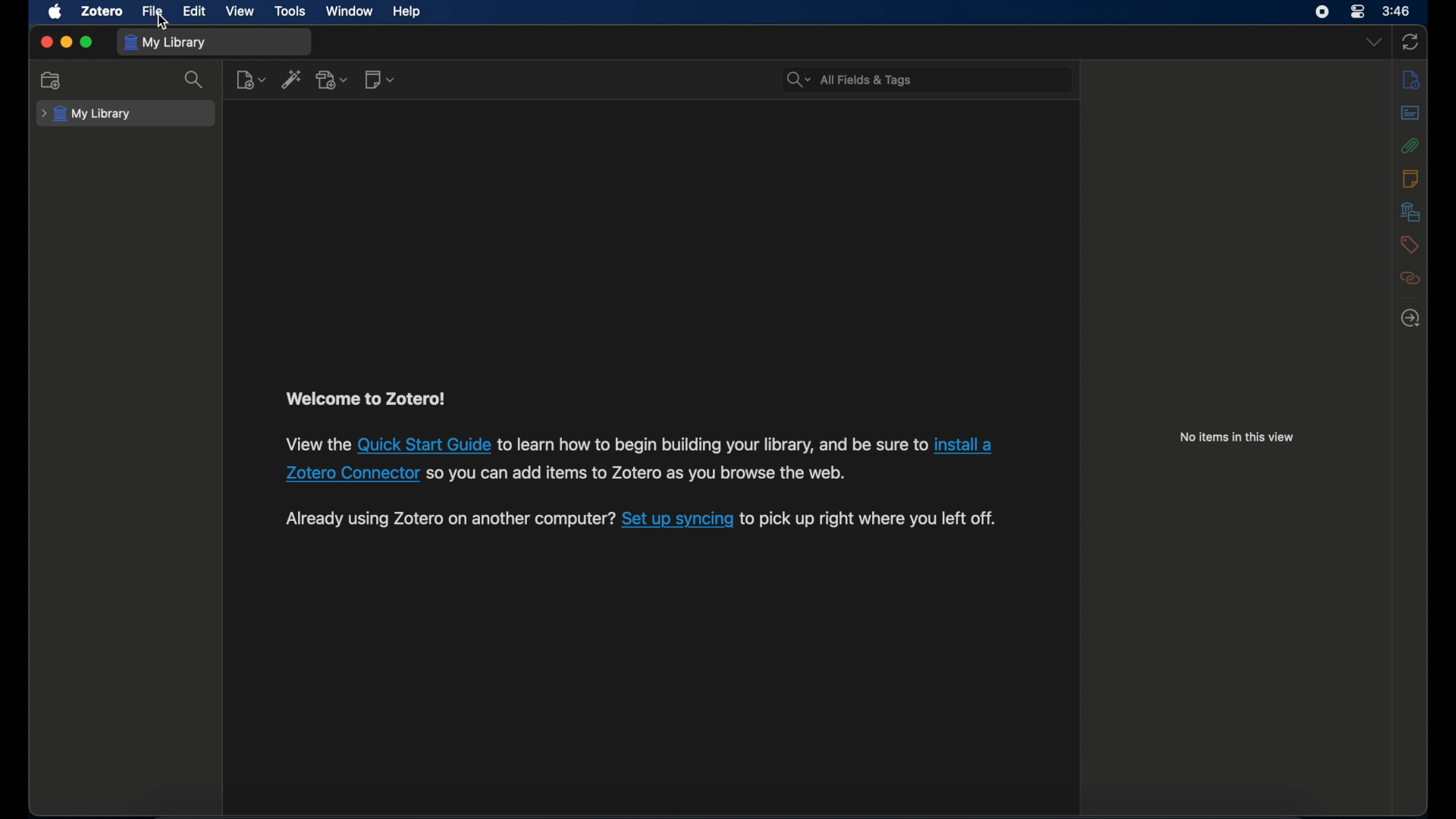 This screenshot has height=819, width=1456. What do you see at coordinates (1410, 212) in the screenshot?
I see `libraries` at bounding box center [1410, 212].